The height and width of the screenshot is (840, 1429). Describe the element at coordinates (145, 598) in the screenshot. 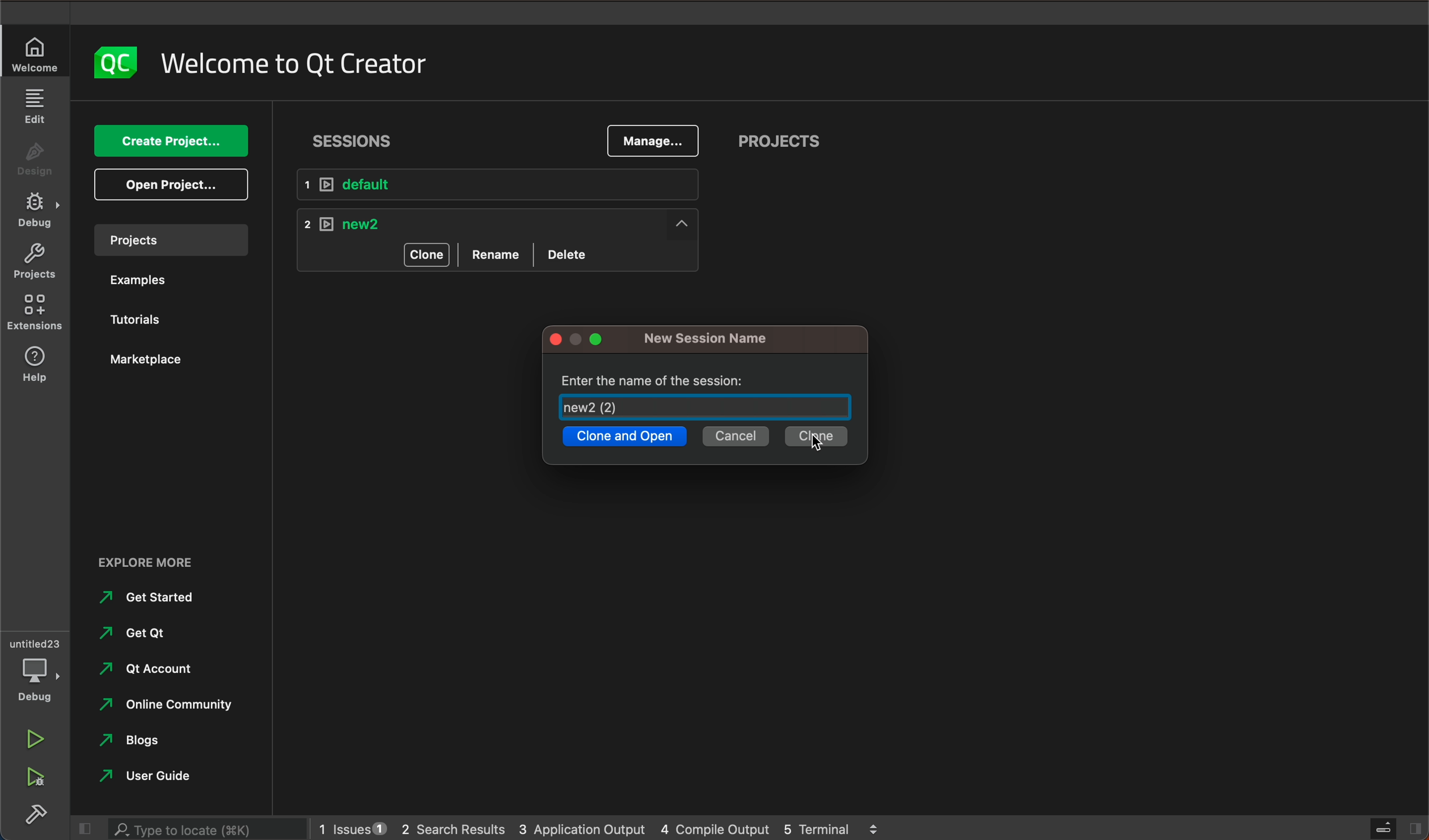

I see `get started` at that location.